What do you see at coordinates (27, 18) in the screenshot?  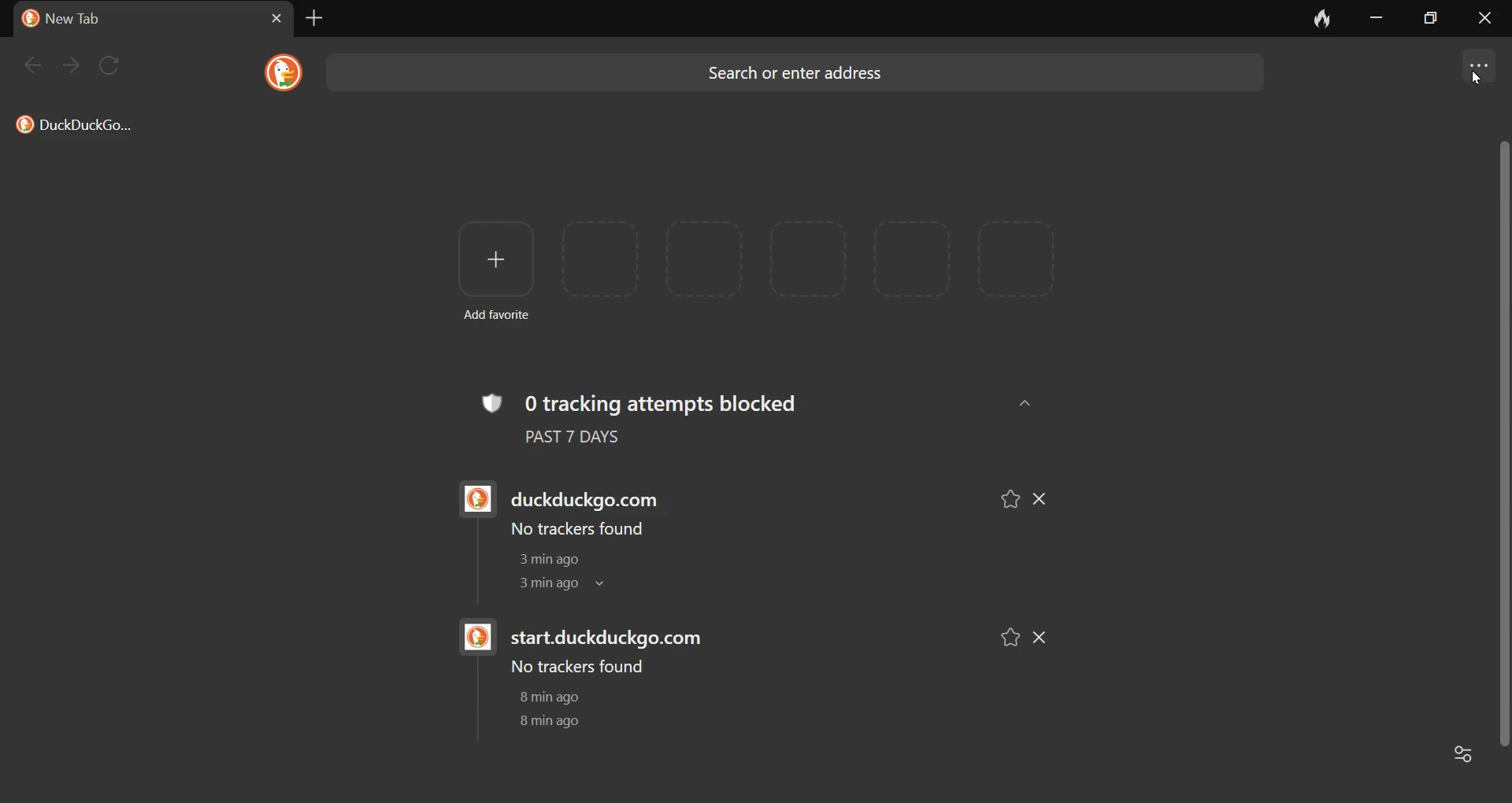 I see `duckduck go` at bounding box center [27, 18].